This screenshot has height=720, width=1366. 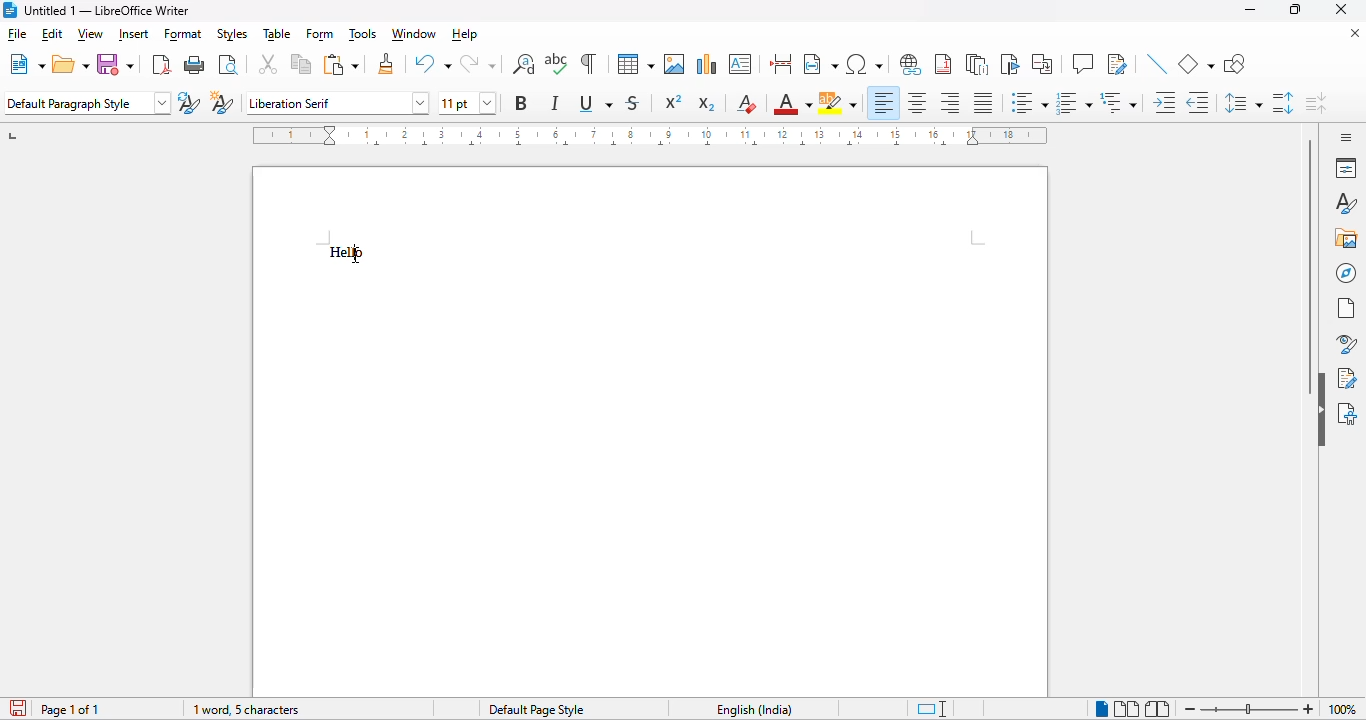 What do you see at coordinates (232, 34) in the screenshot?
I see `styles` at bounding box center [232, 34].